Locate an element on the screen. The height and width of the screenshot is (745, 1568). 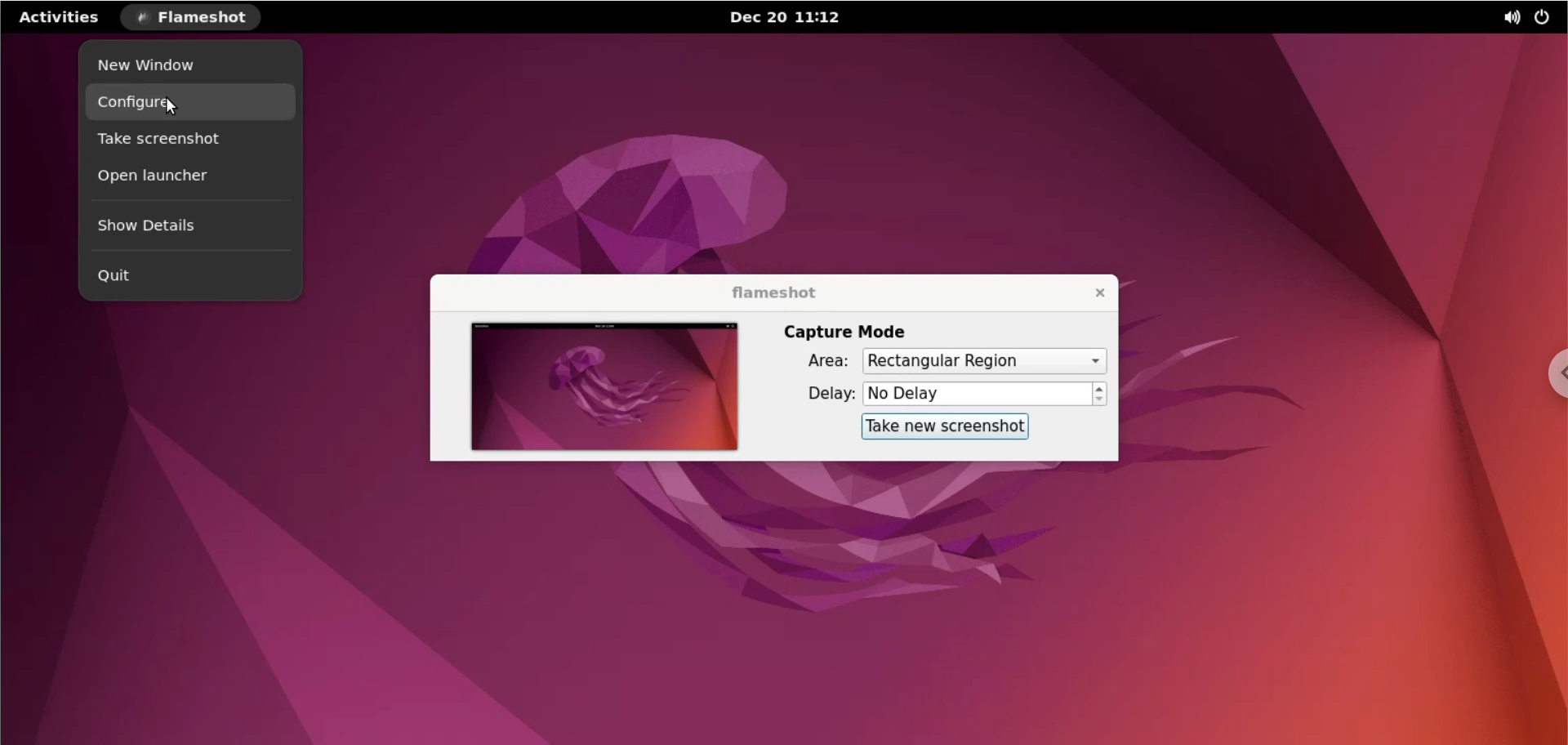
area options is located at coordinates (984, 360).